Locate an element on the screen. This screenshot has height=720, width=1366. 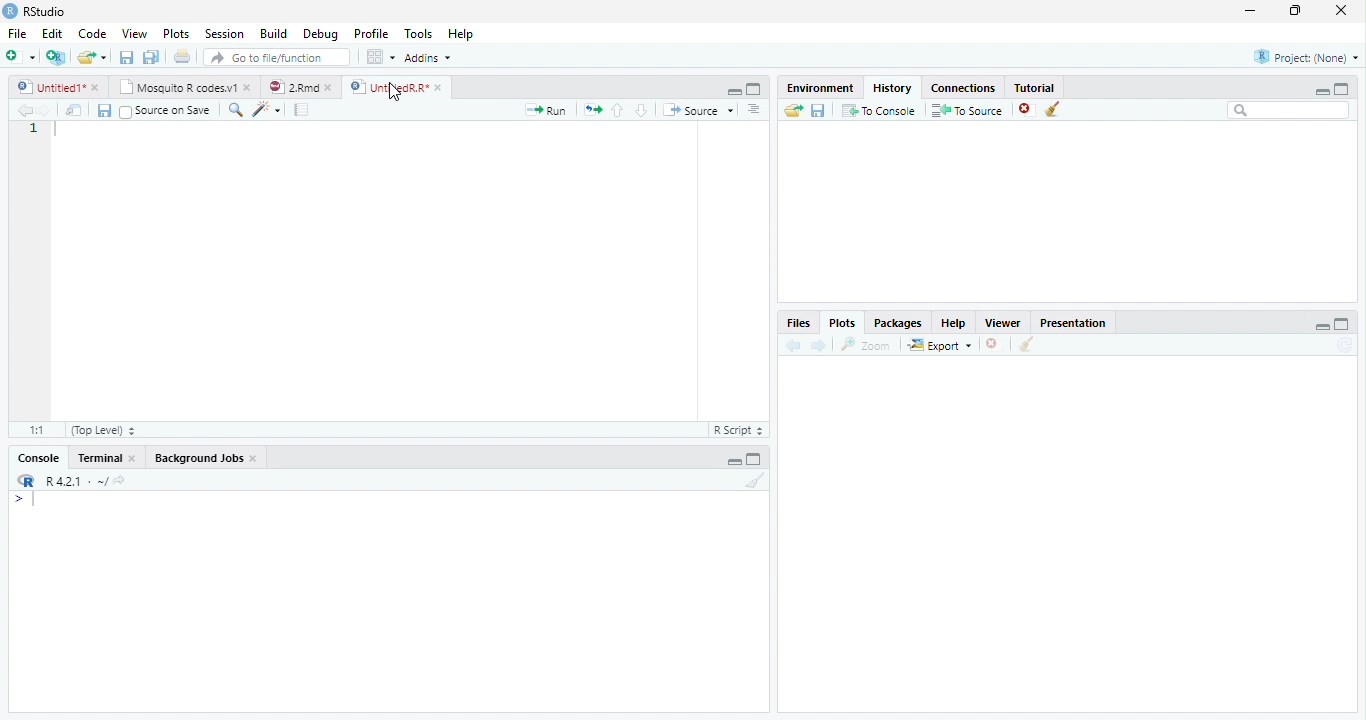
Compile Report is located at coordinates (301, 109).